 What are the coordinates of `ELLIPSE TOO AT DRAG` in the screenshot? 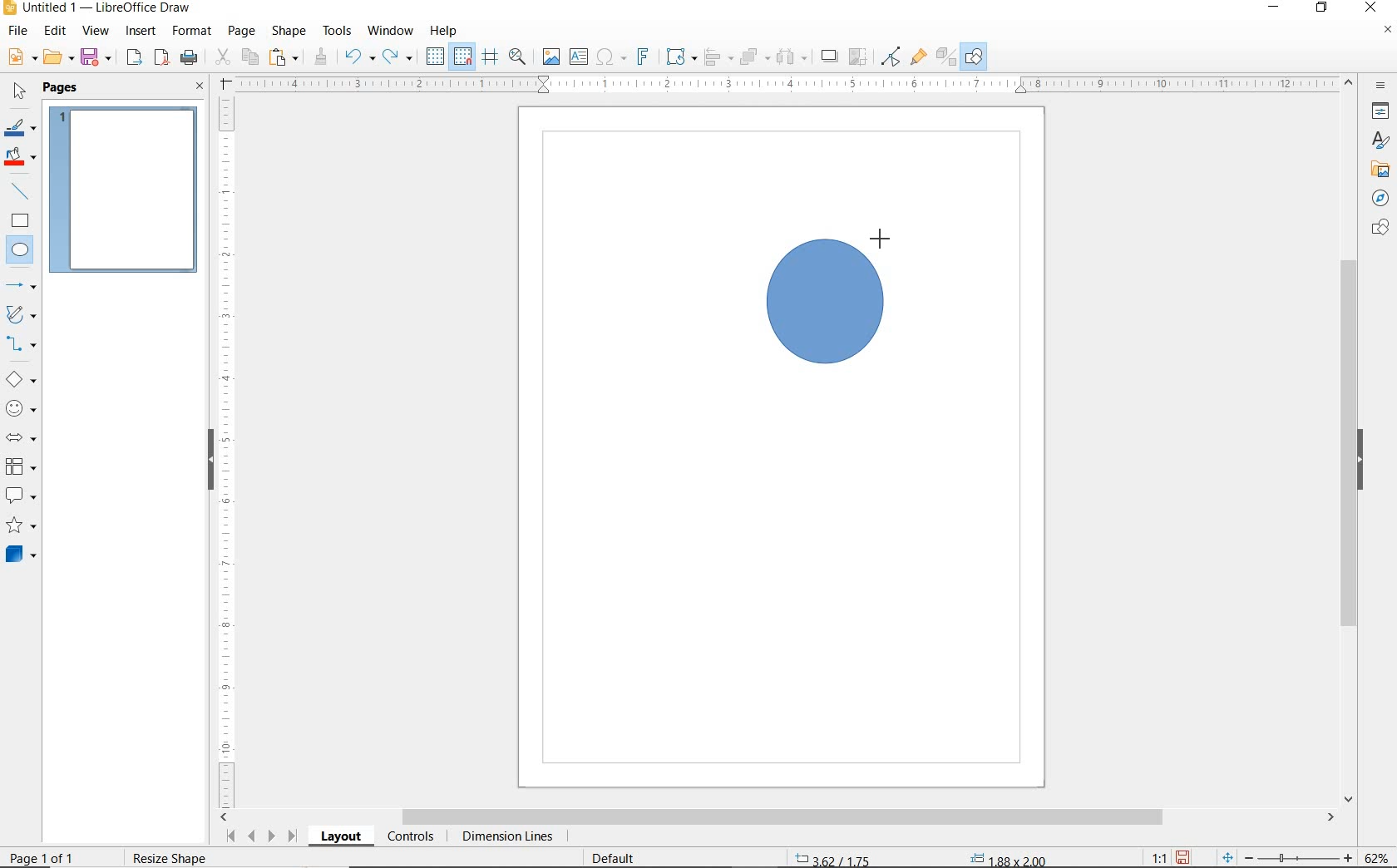 It's located at (881, 242).